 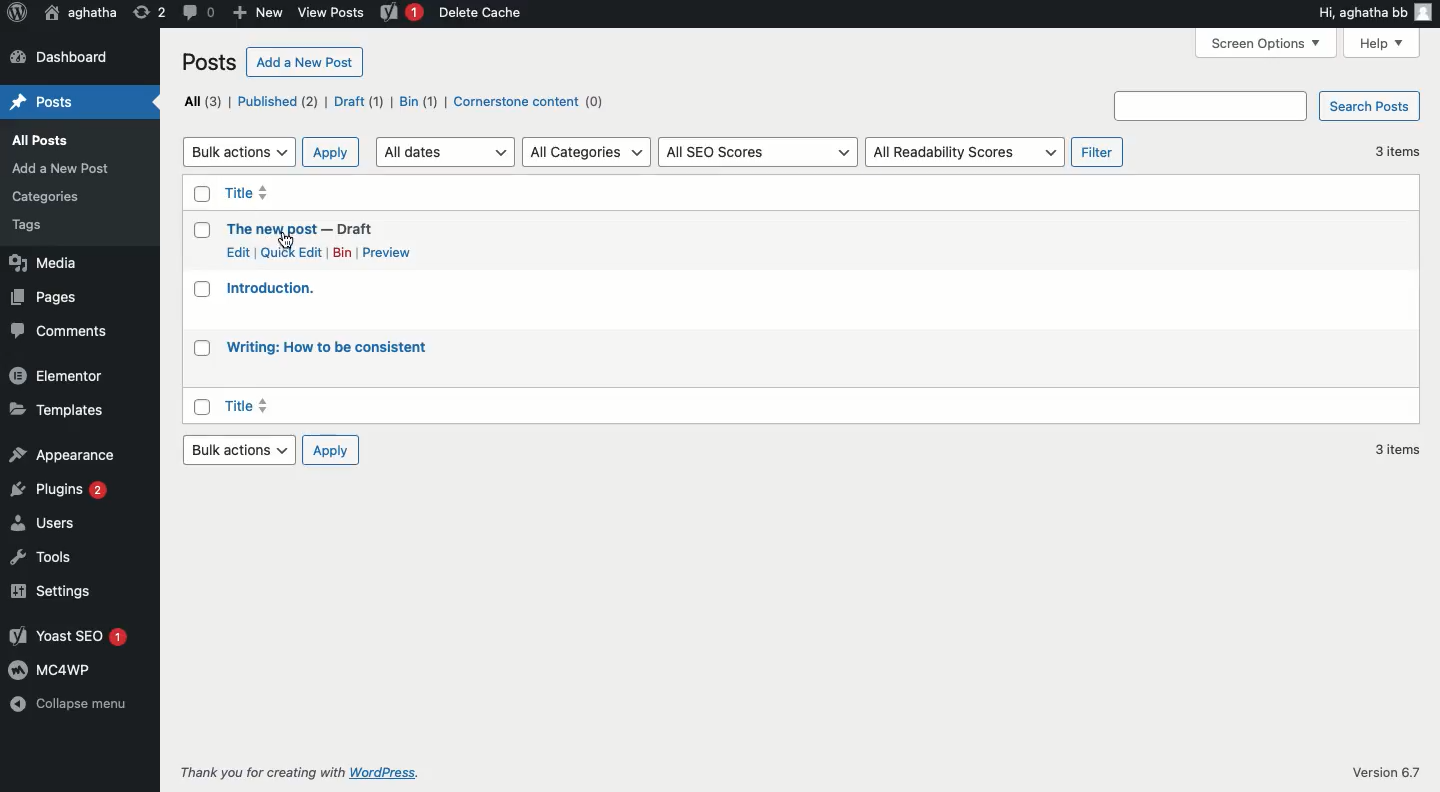 I want to click on All readability scores, so click(x=965, y=152).